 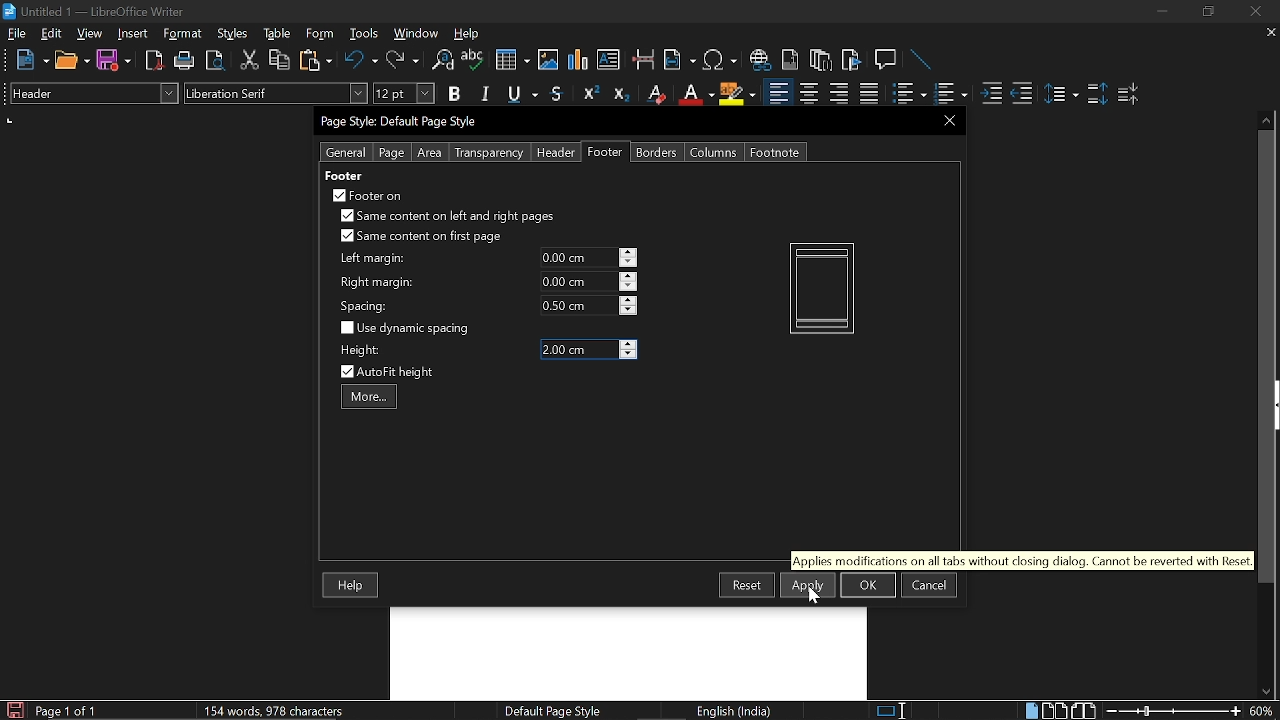 I want to click on toggle ordered list, so click(x=909, y=94).